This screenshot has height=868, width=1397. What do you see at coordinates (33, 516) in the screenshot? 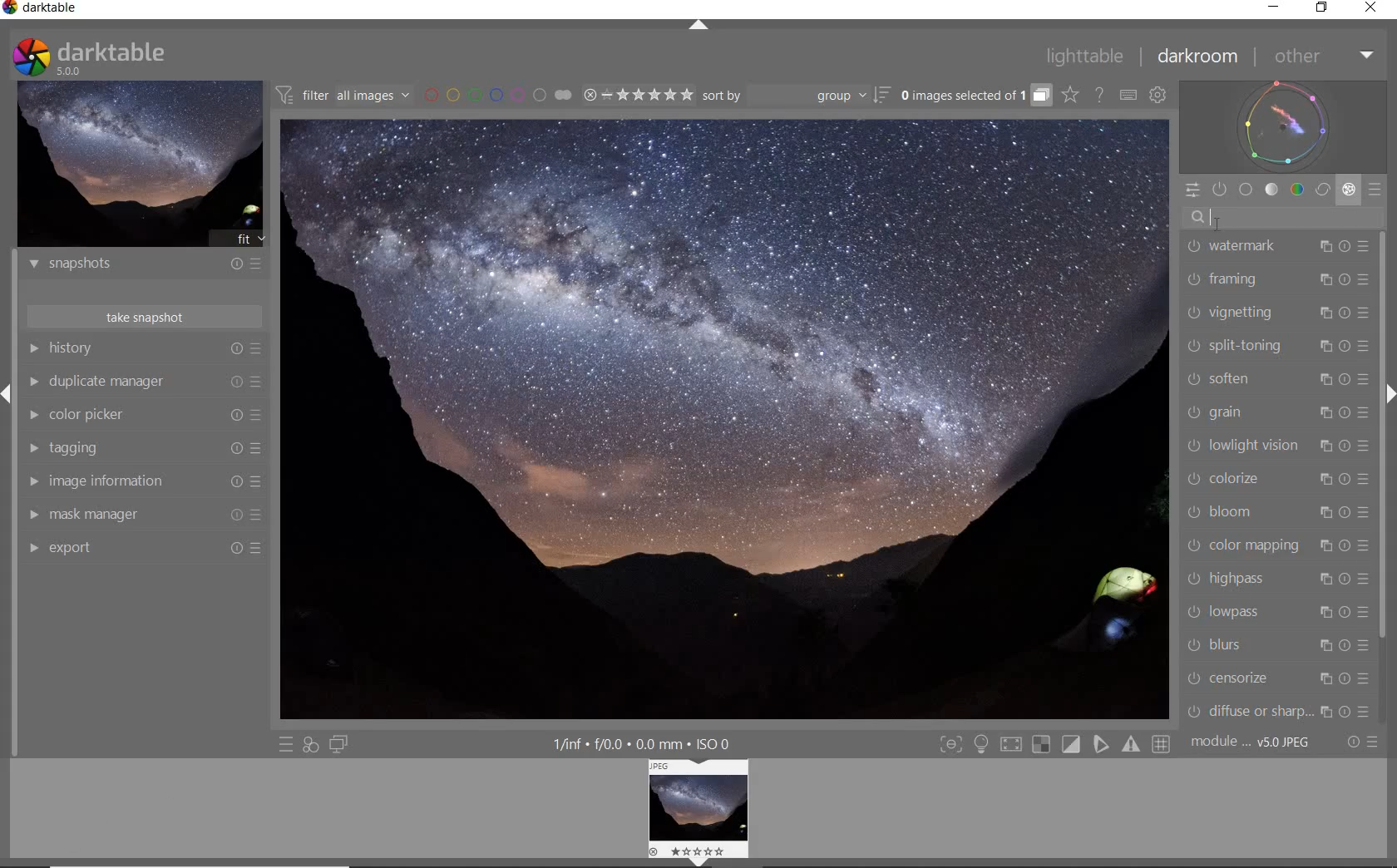
I see `MASK MANAGER` at bounding box center [33, 516].